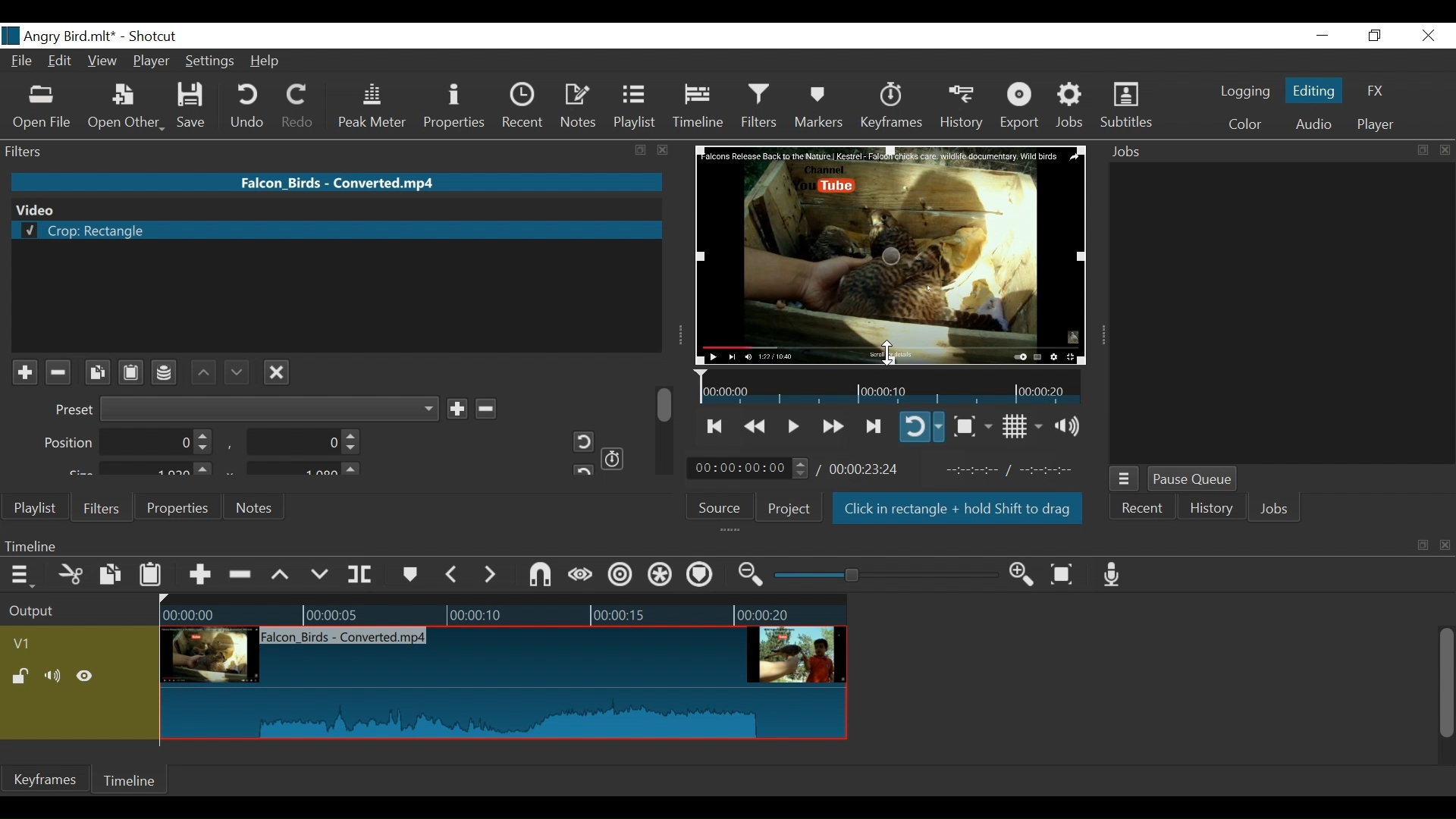 The image size is (1456, 819). I want to click on logo, so click(11, 36).